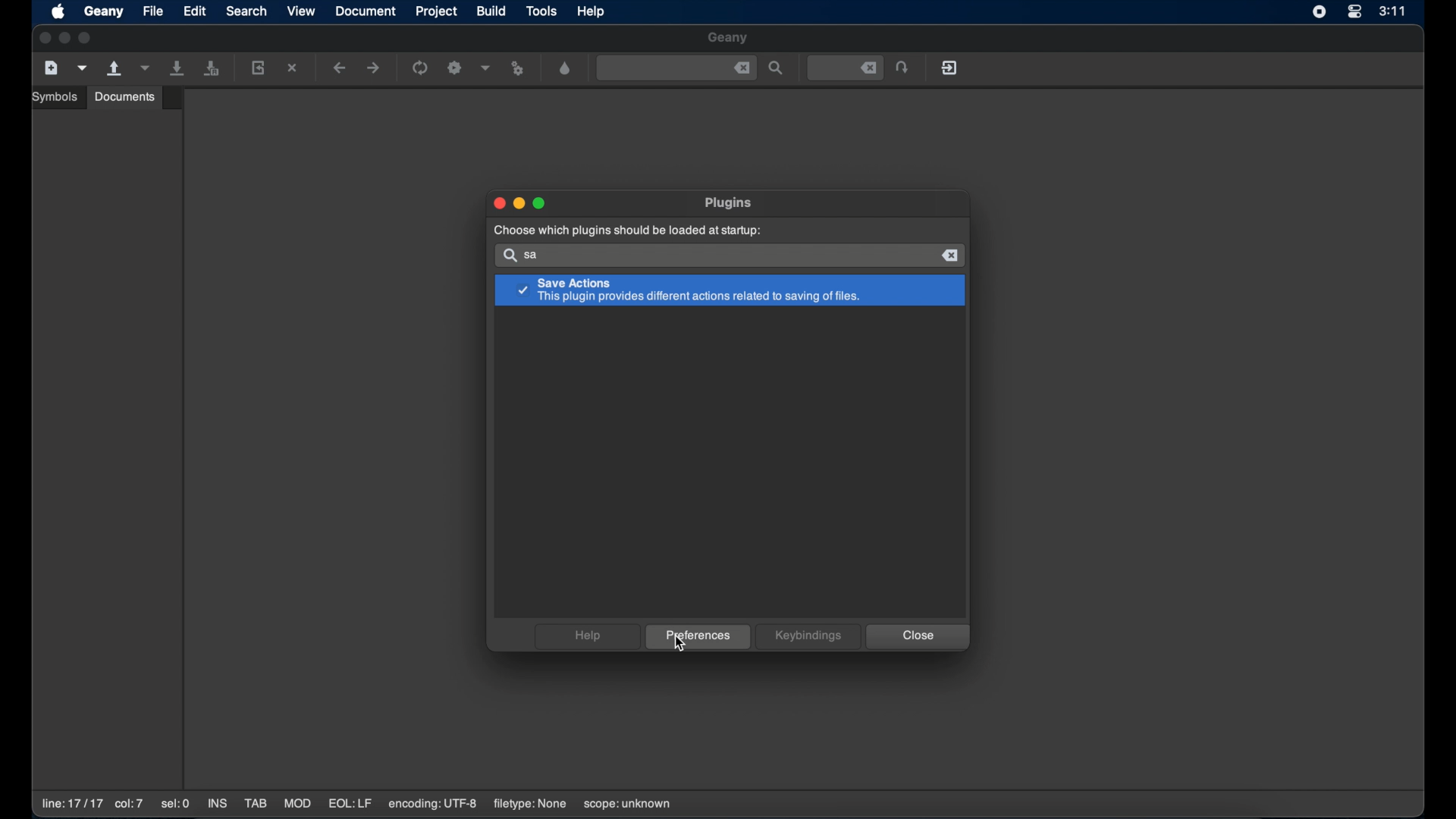  Describe the element at coordinates (541, 203) in the screenshot. I see `maximize` at that location.